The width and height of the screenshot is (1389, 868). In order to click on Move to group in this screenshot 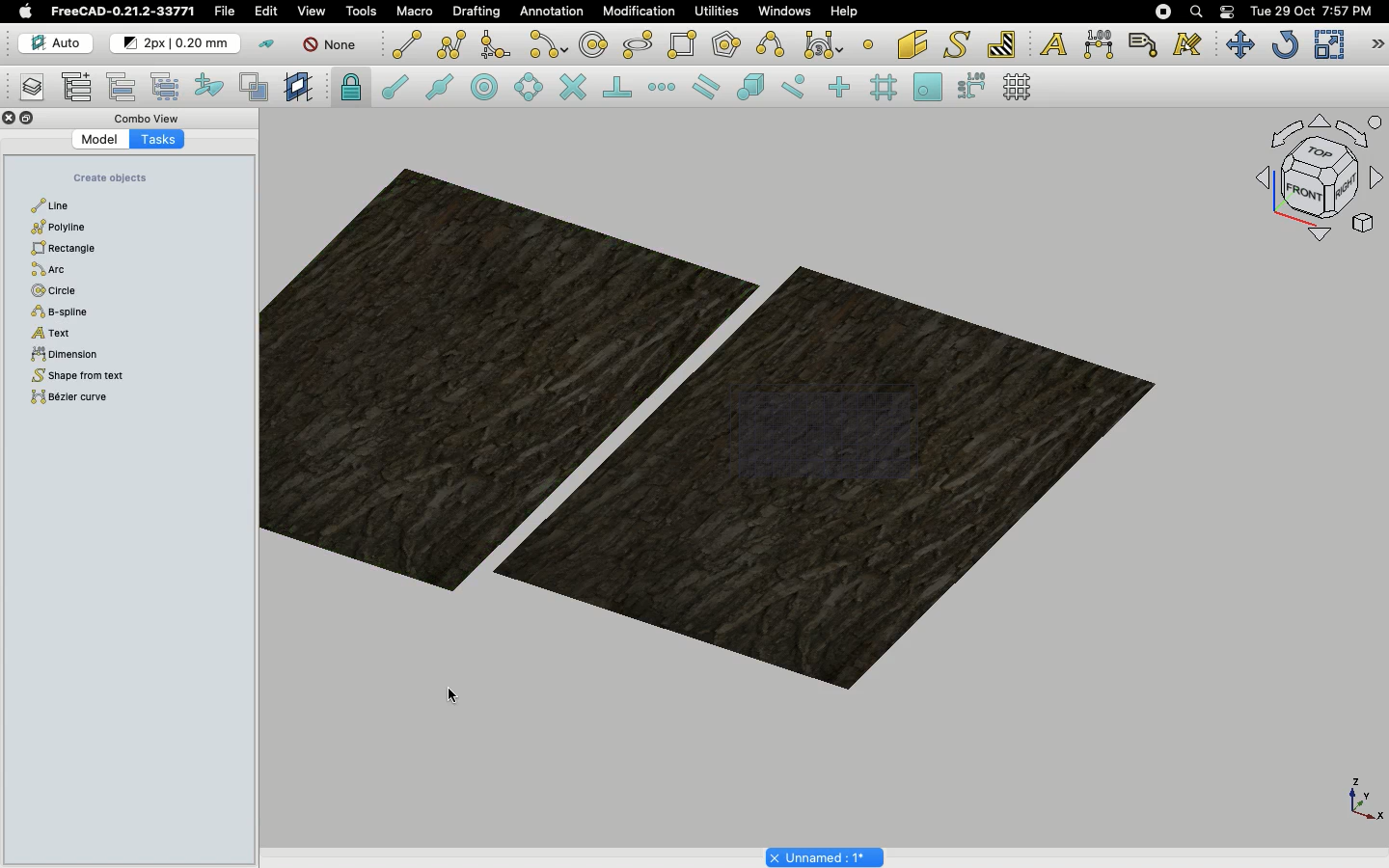, I will do `click(124, 87)`.